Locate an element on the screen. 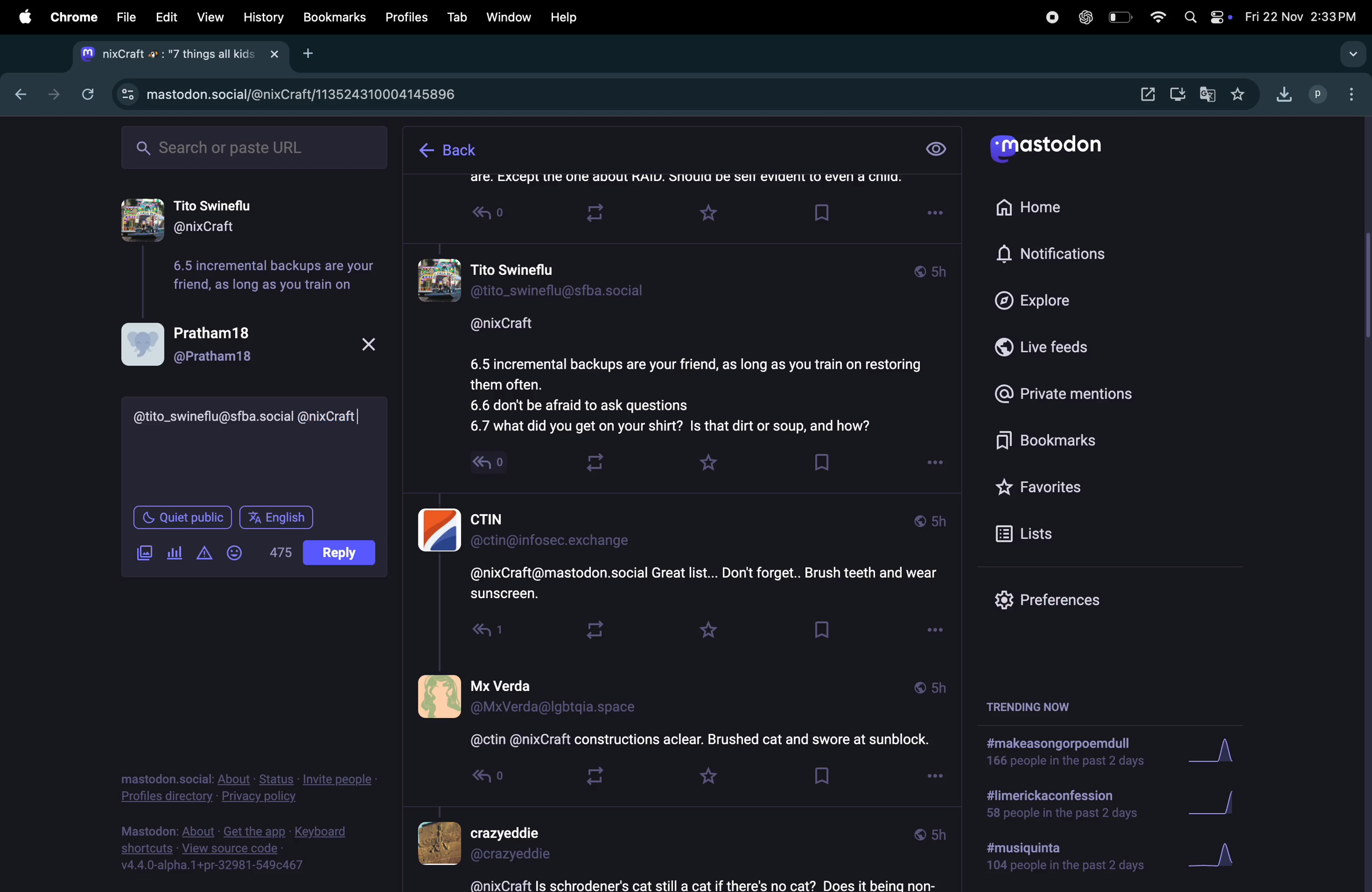 This screenshot has width=1372, height=892. bookmark is located at coordinates (335, 18).